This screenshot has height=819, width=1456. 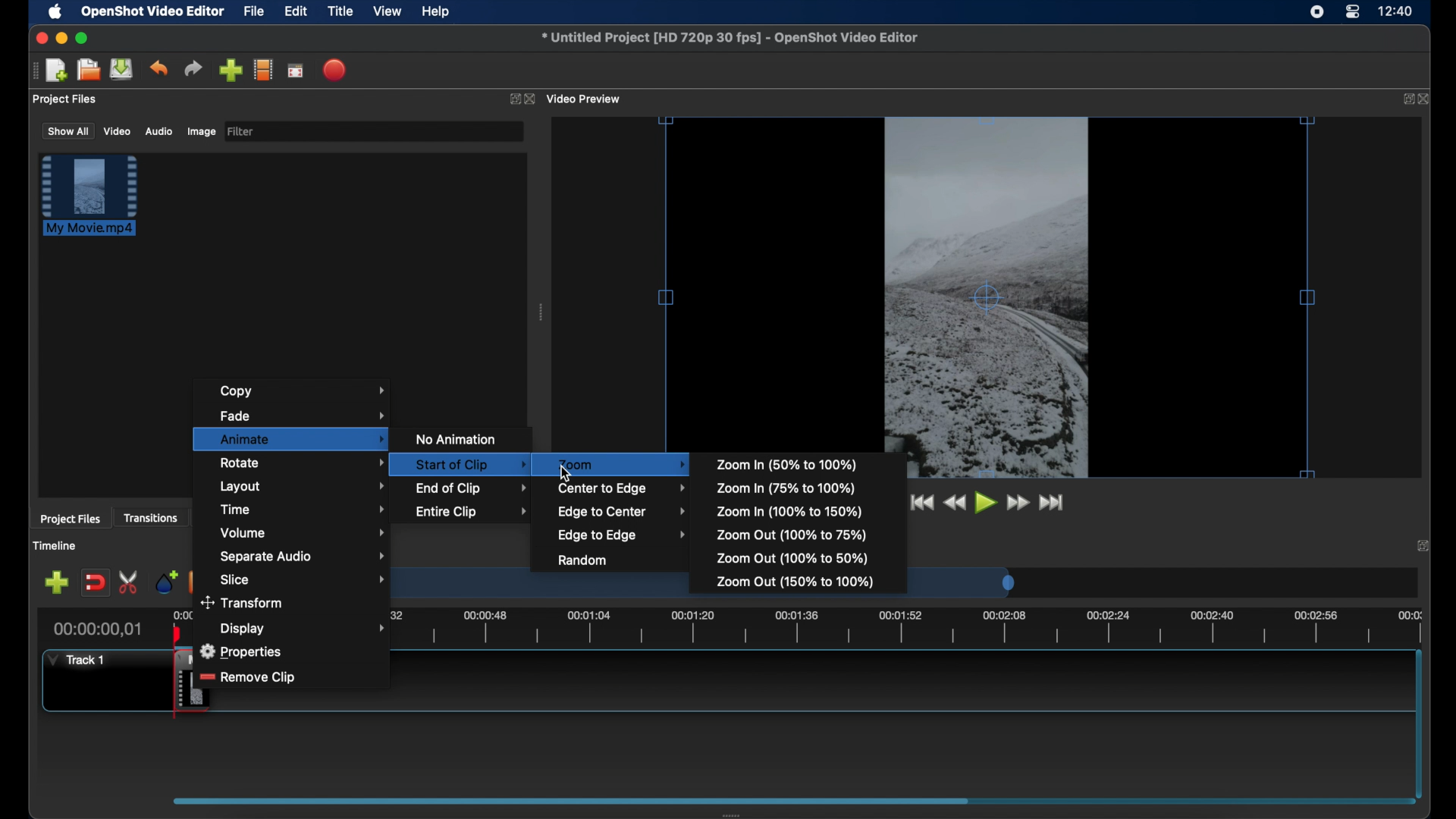 What do you see at coordinates (511, 101) in the screenshot?
I see `expand` at bounding box center [511, 101].